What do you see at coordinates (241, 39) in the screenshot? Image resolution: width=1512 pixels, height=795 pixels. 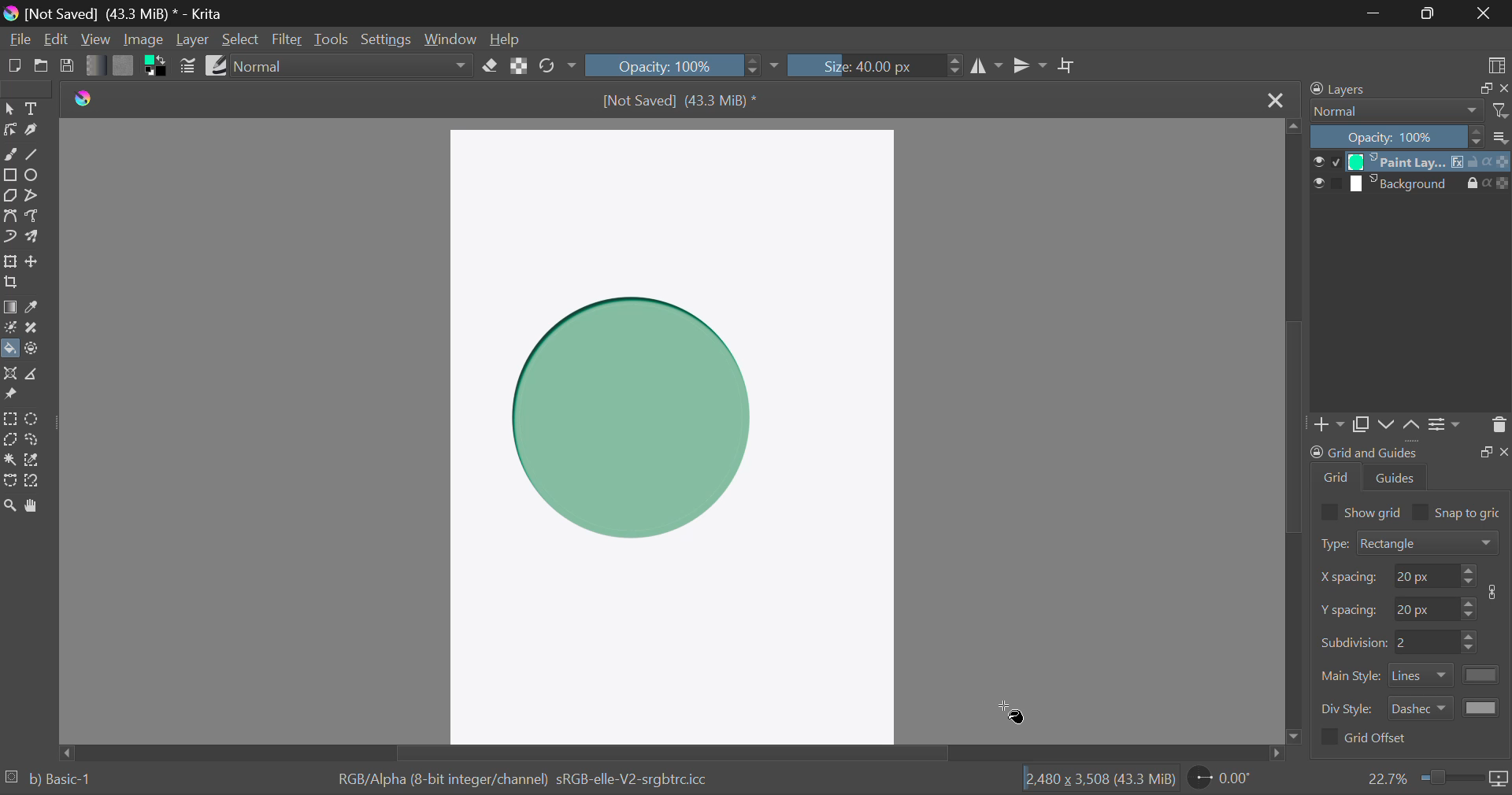 I see `Select` at bounding box center [241, 39].